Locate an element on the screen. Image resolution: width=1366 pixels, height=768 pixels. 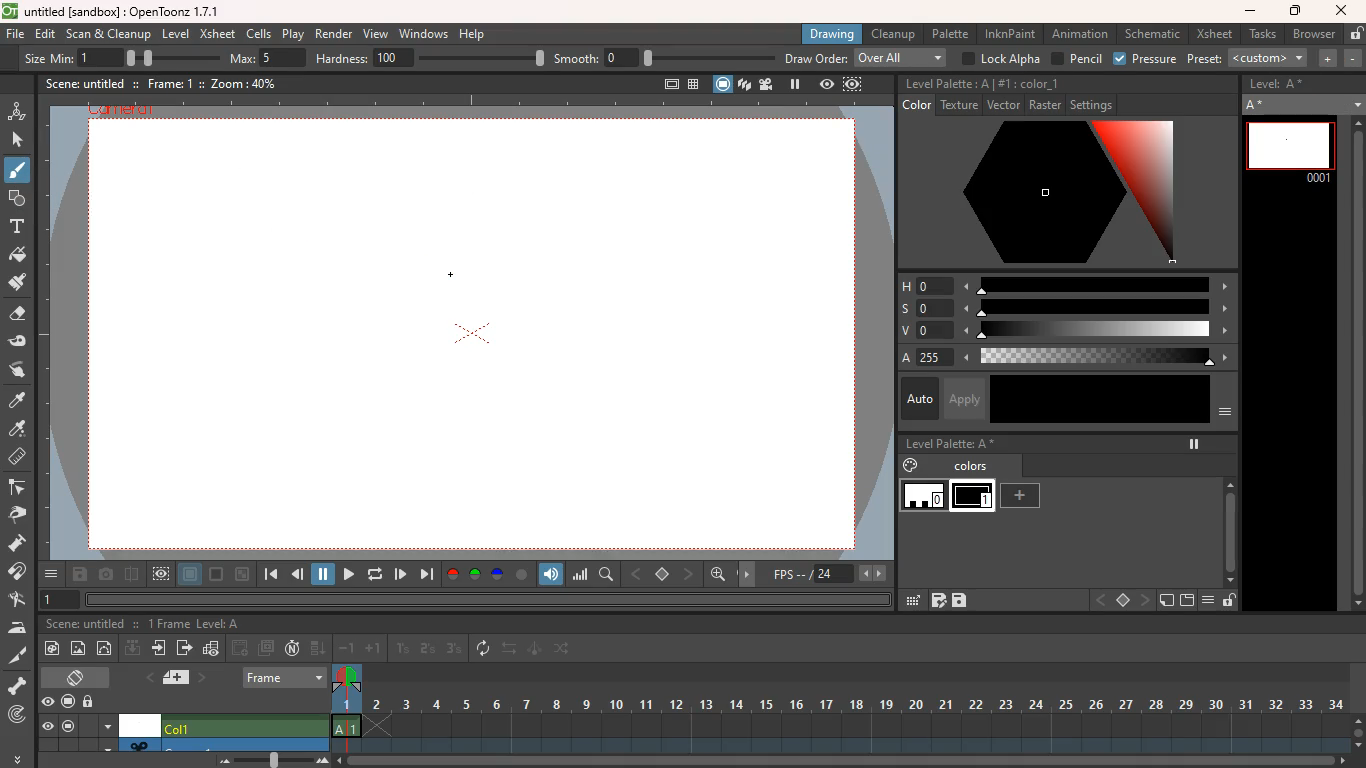
apply is located at coordinates (967, 398).